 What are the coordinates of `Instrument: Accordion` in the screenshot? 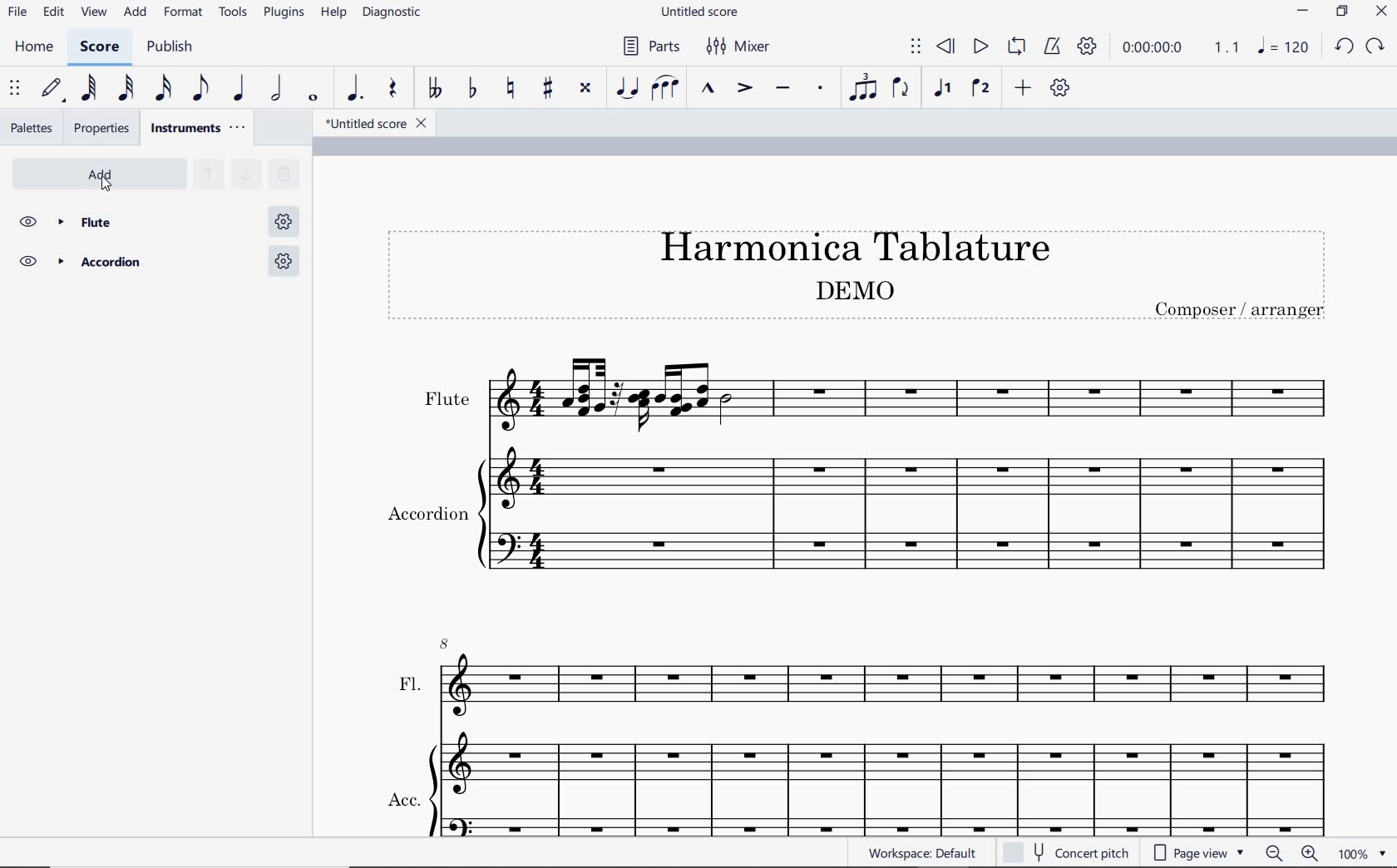 It's located at (862, 514).